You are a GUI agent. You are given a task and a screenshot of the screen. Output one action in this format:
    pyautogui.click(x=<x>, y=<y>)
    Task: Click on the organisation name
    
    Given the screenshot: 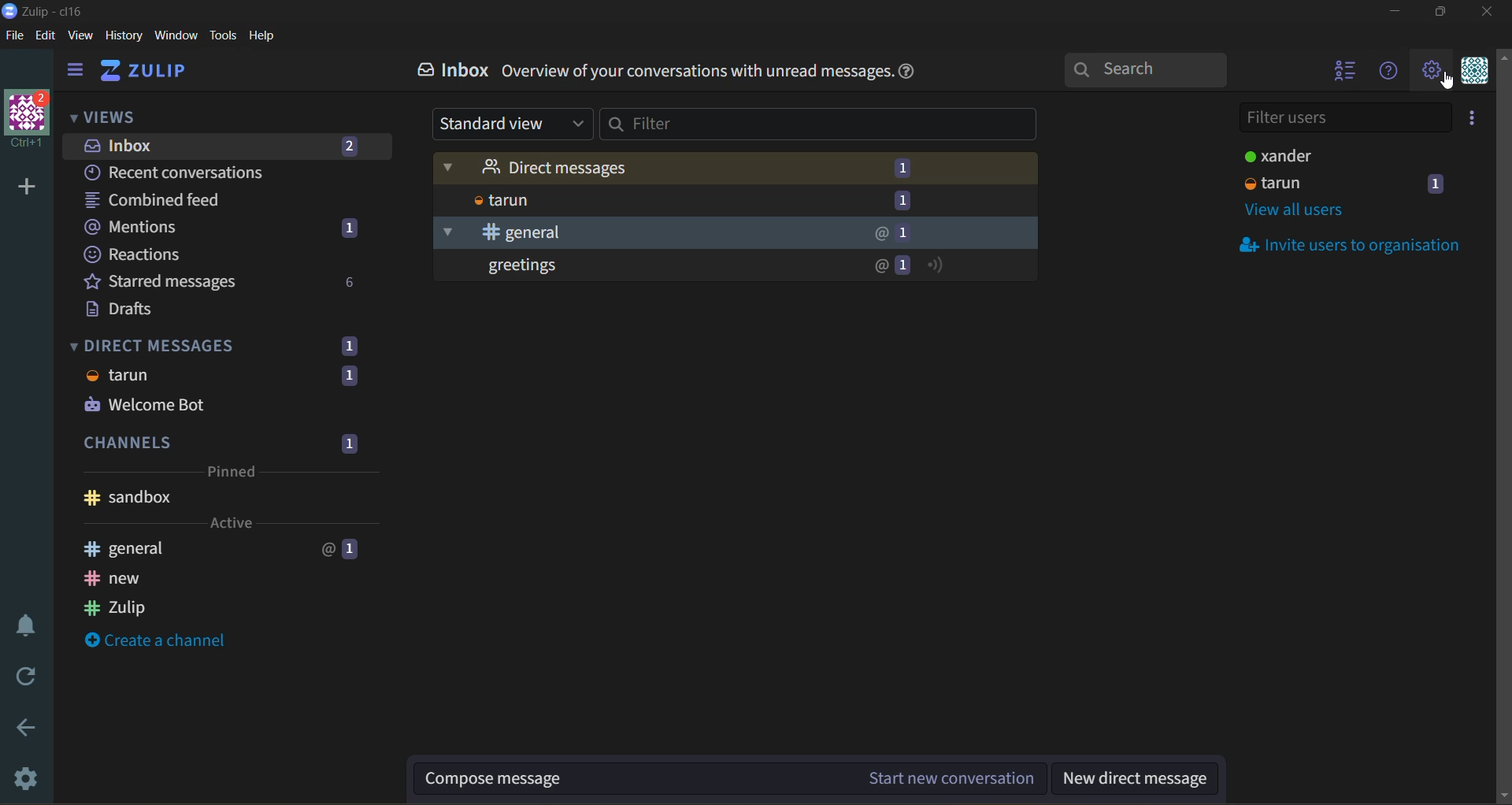 What is the action you would take?
    pyautogui.click(x=33, y=121)
    